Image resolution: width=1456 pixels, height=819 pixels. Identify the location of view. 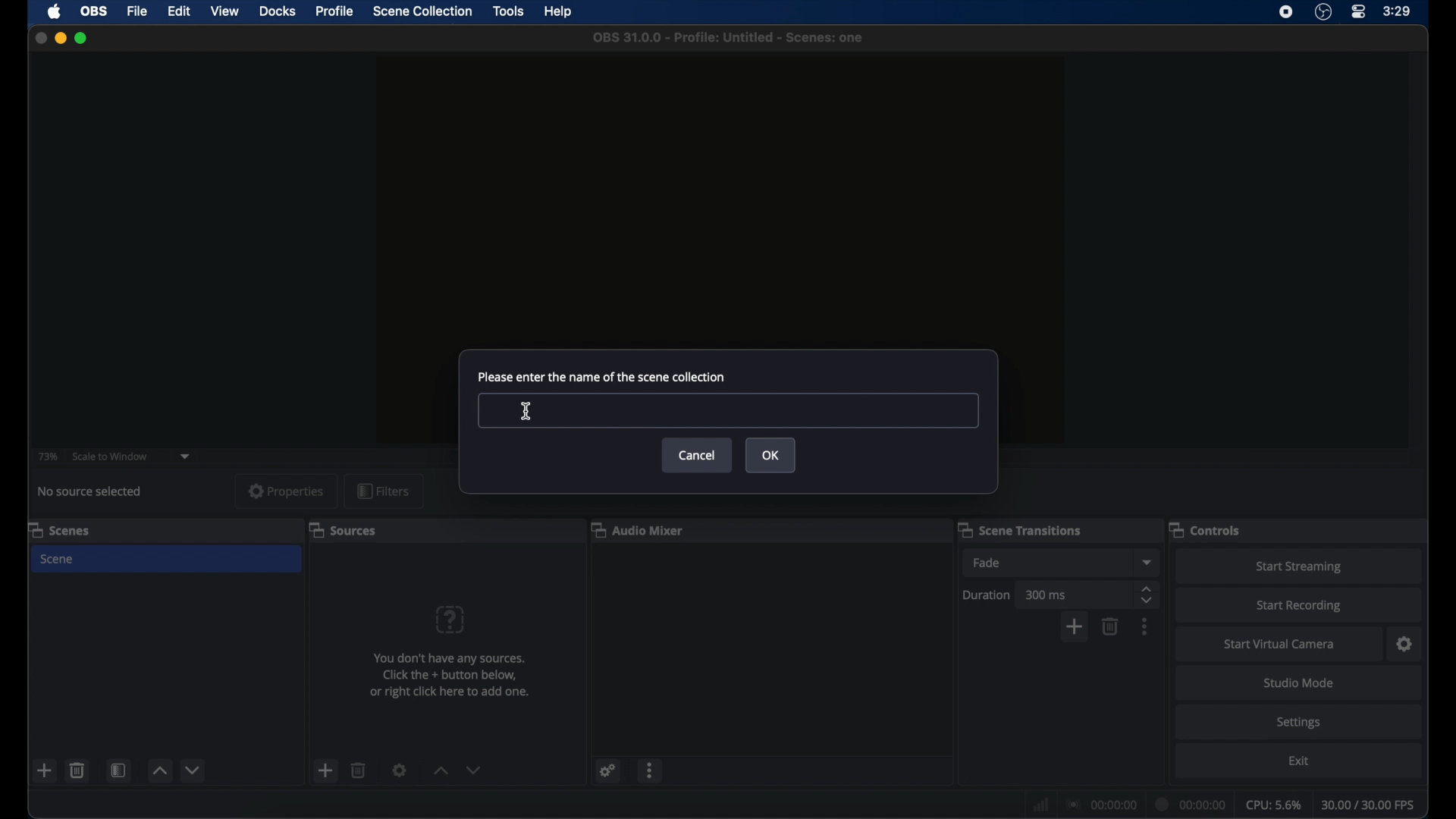
(224, 11).